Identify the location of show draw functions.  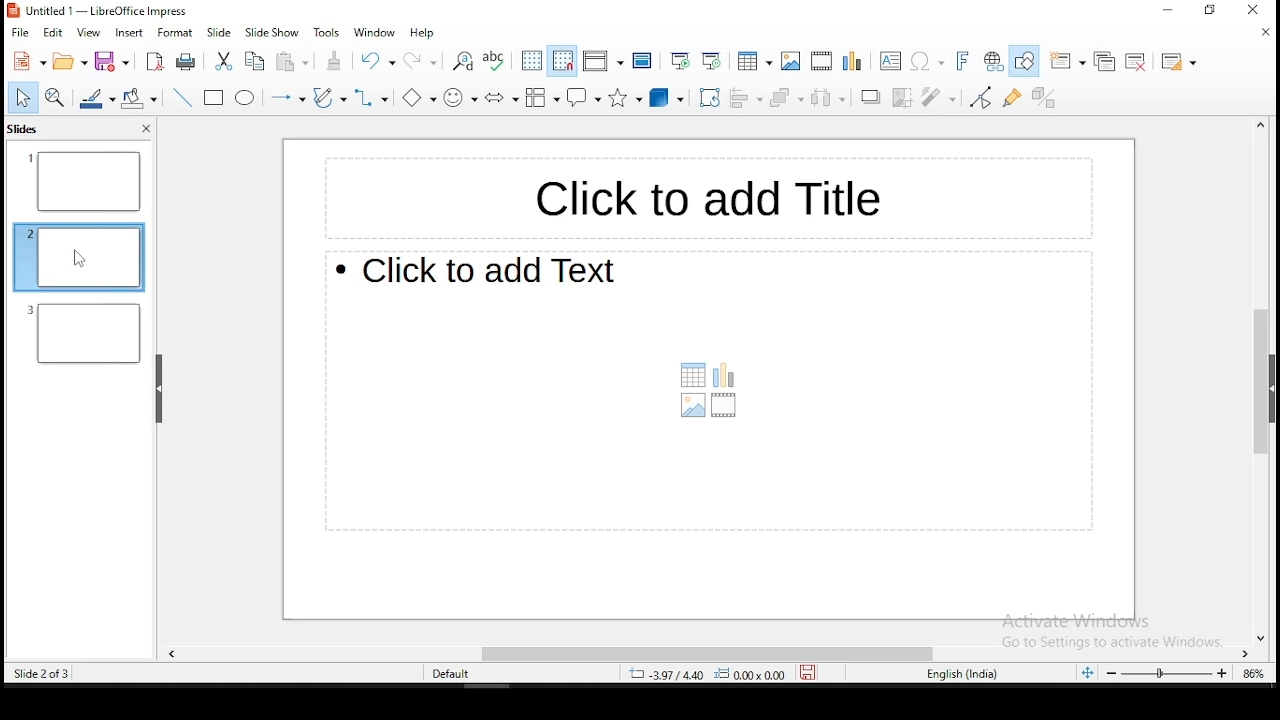
(1024, 60).